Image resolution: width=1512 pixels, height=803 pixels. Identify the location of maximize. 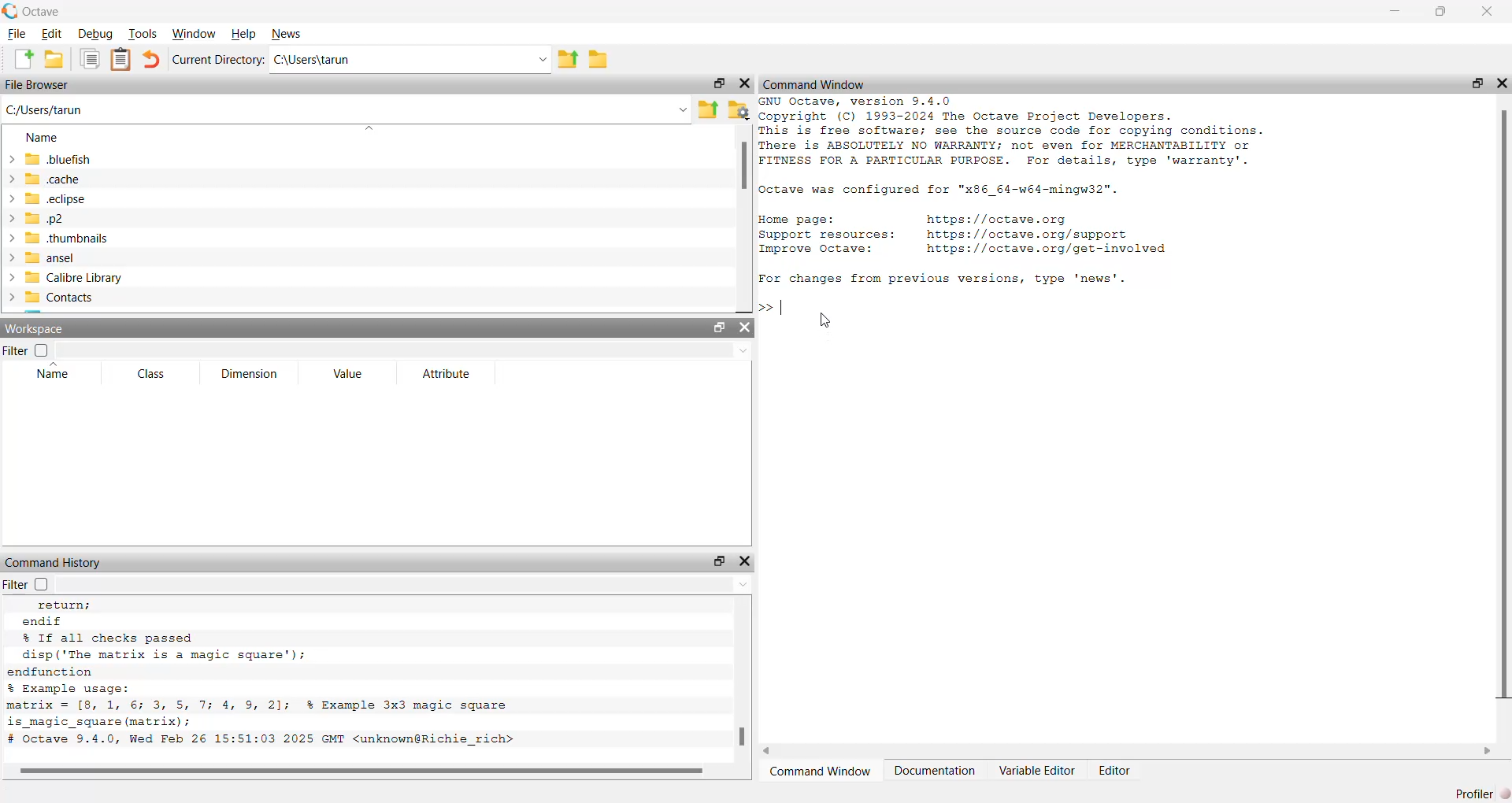
(717, 561).